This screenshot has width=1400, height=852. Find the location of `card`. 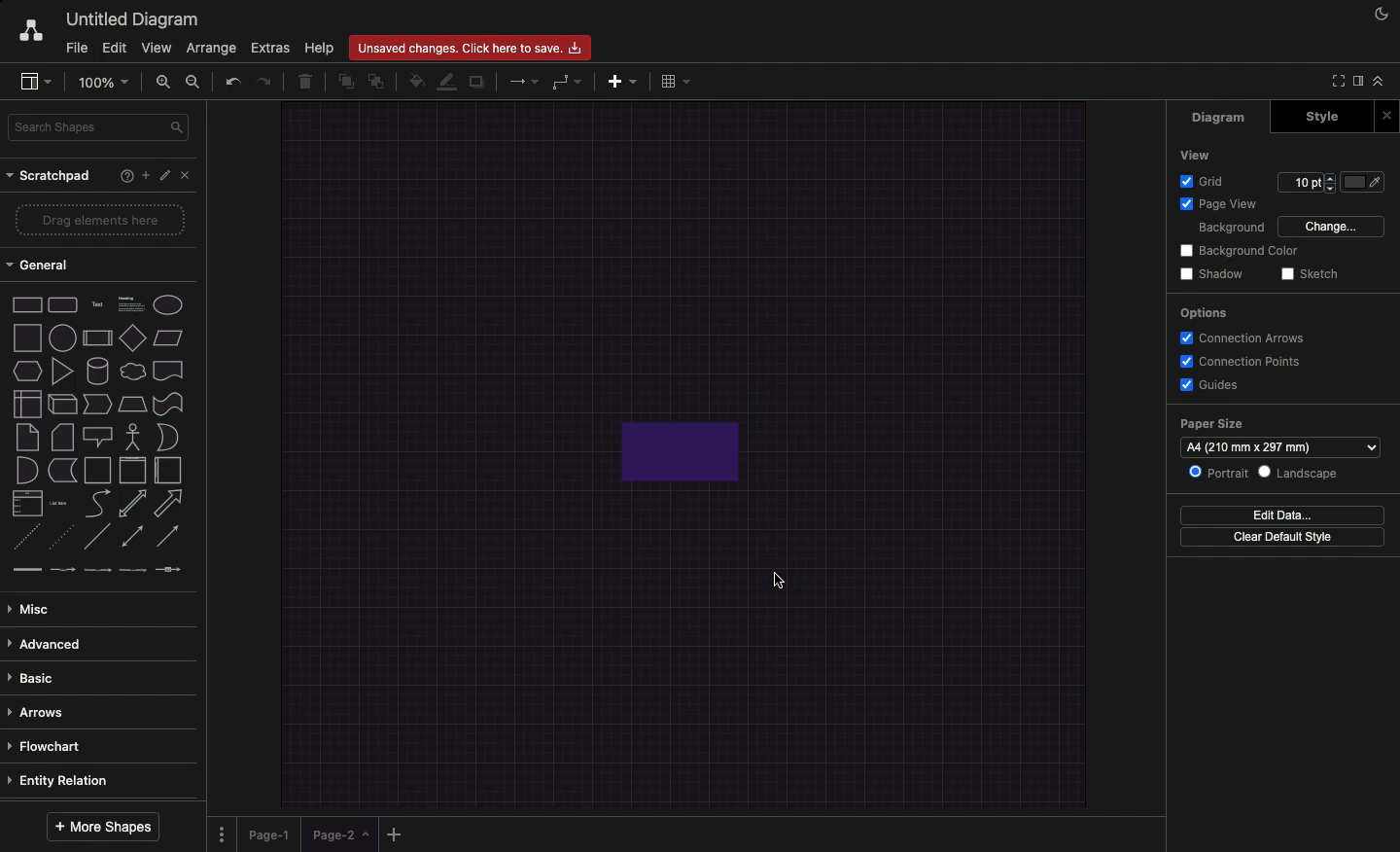

card is located at coordinates (61, 436).